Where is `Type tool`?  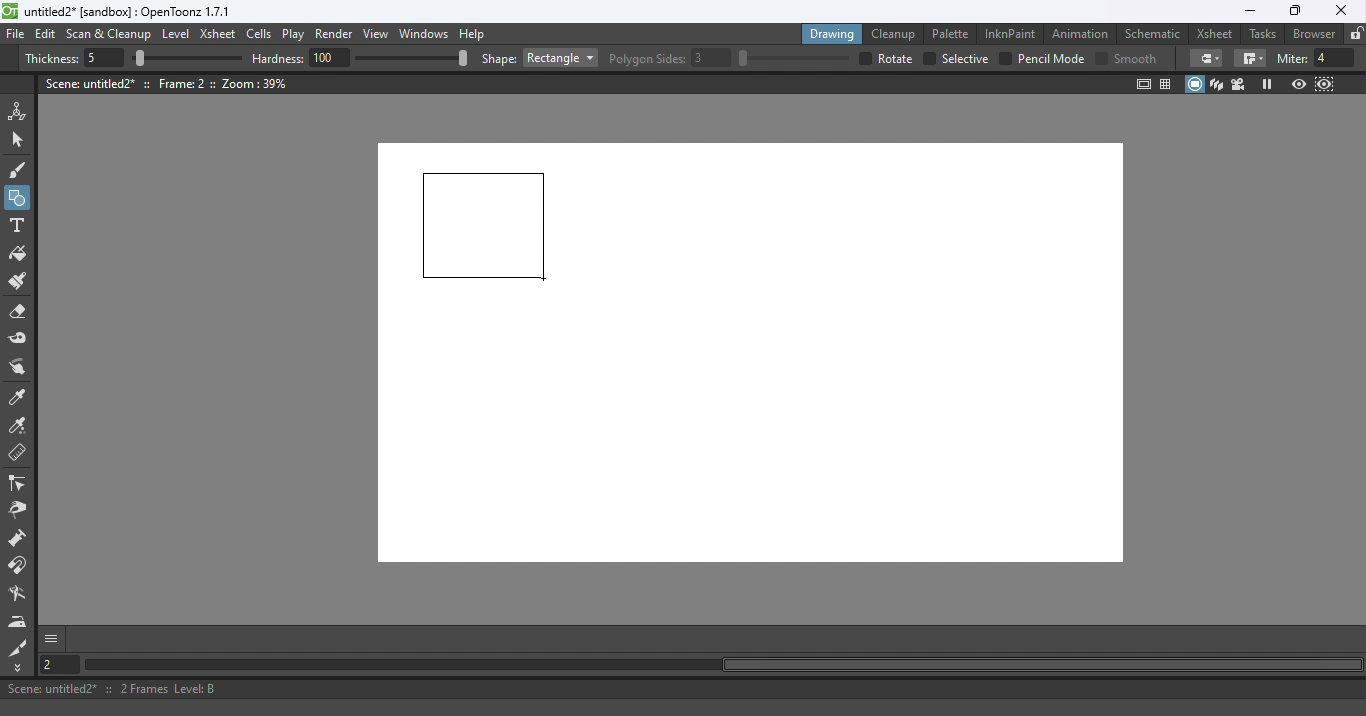 Type tool is located at coordinates (17, 227).